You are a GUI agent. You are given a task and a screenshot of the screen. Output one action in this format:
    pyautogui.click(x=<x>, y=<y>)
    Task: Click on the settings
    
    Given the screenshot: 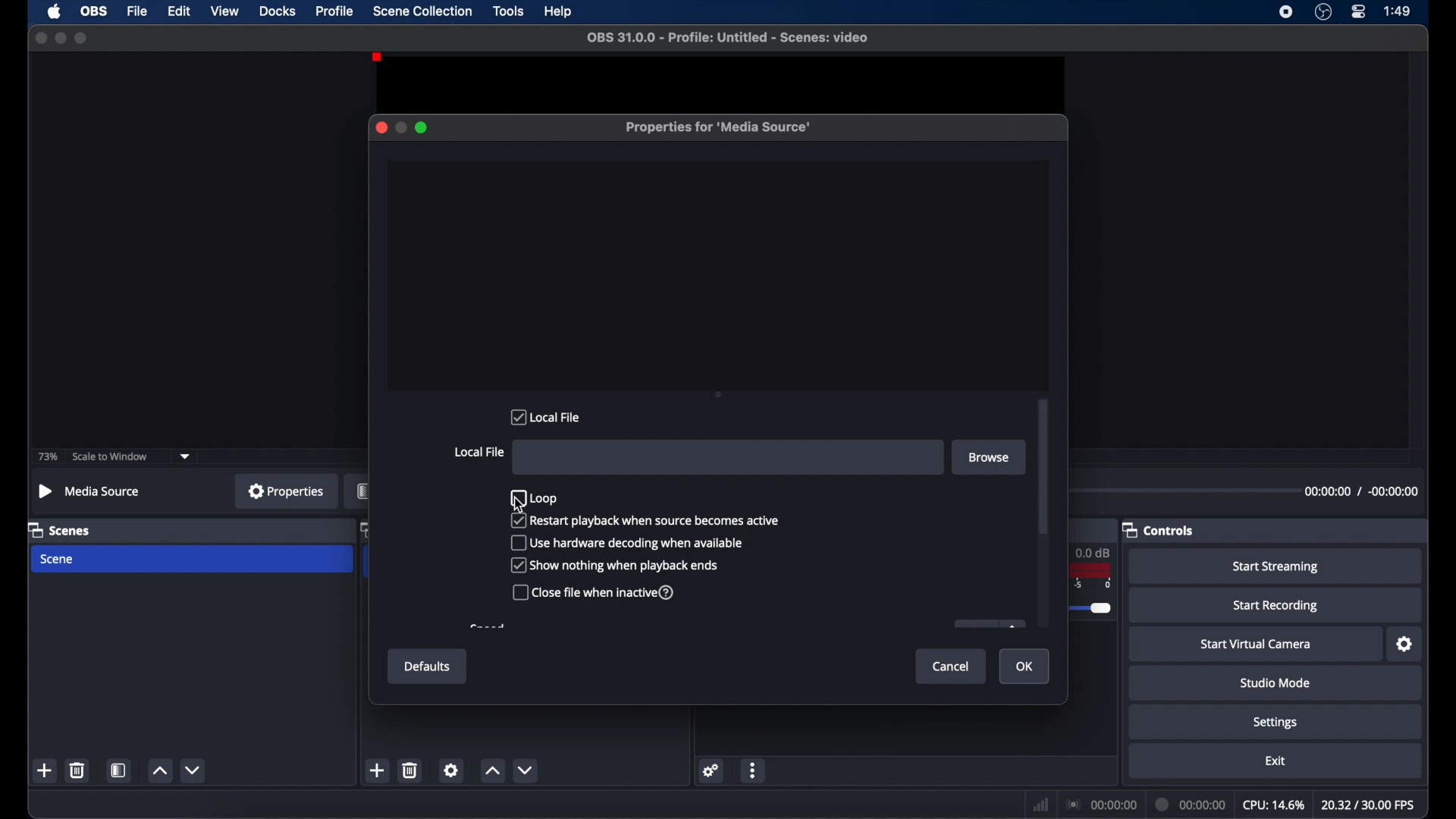 What is the action you would take?
    pyautogui.click(x=1277, y=723)
    